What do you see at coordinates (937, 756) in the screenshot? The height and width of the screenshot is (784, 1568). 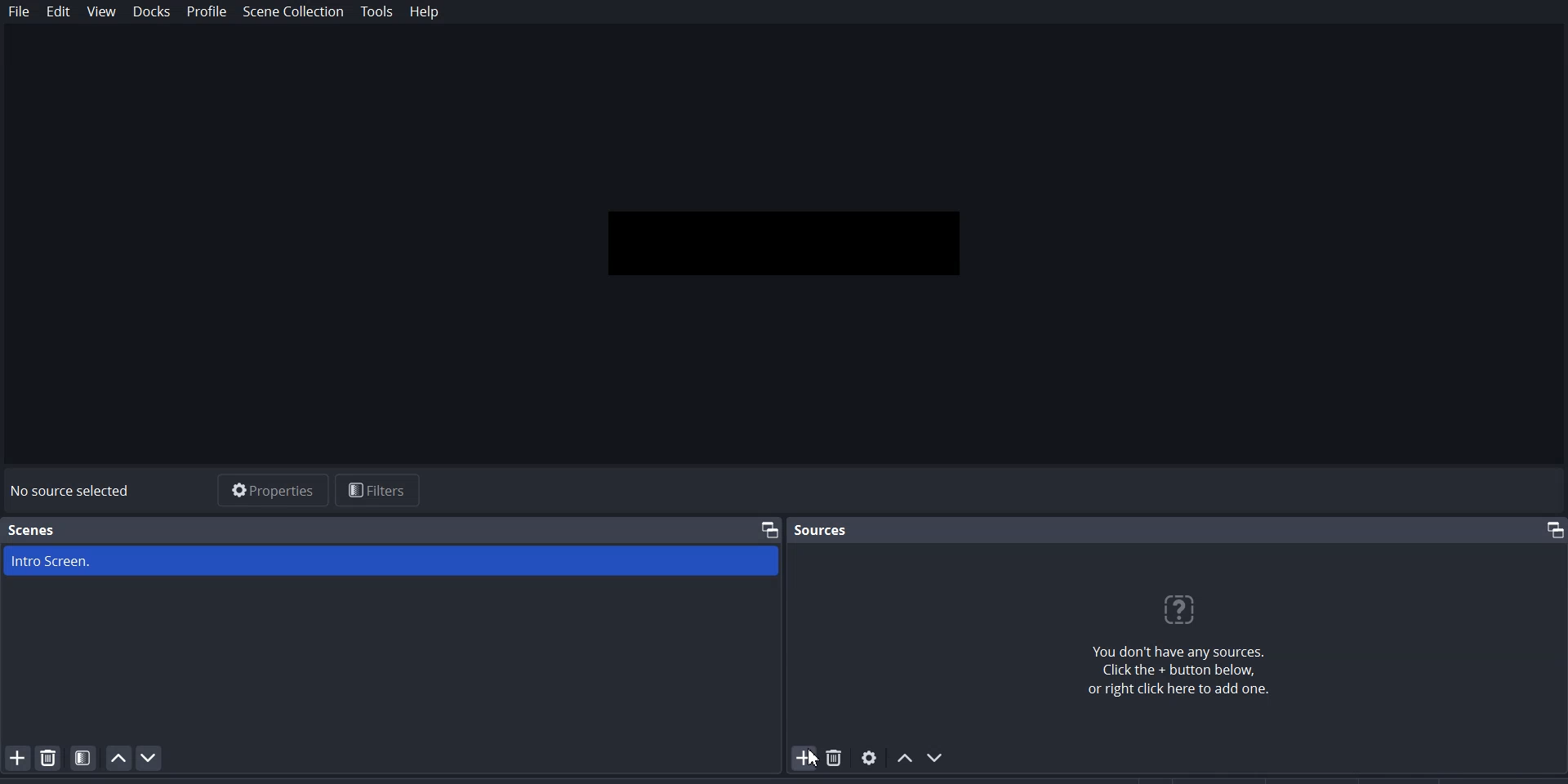 I see `Move Source Down` at bounding box center [937, 756].